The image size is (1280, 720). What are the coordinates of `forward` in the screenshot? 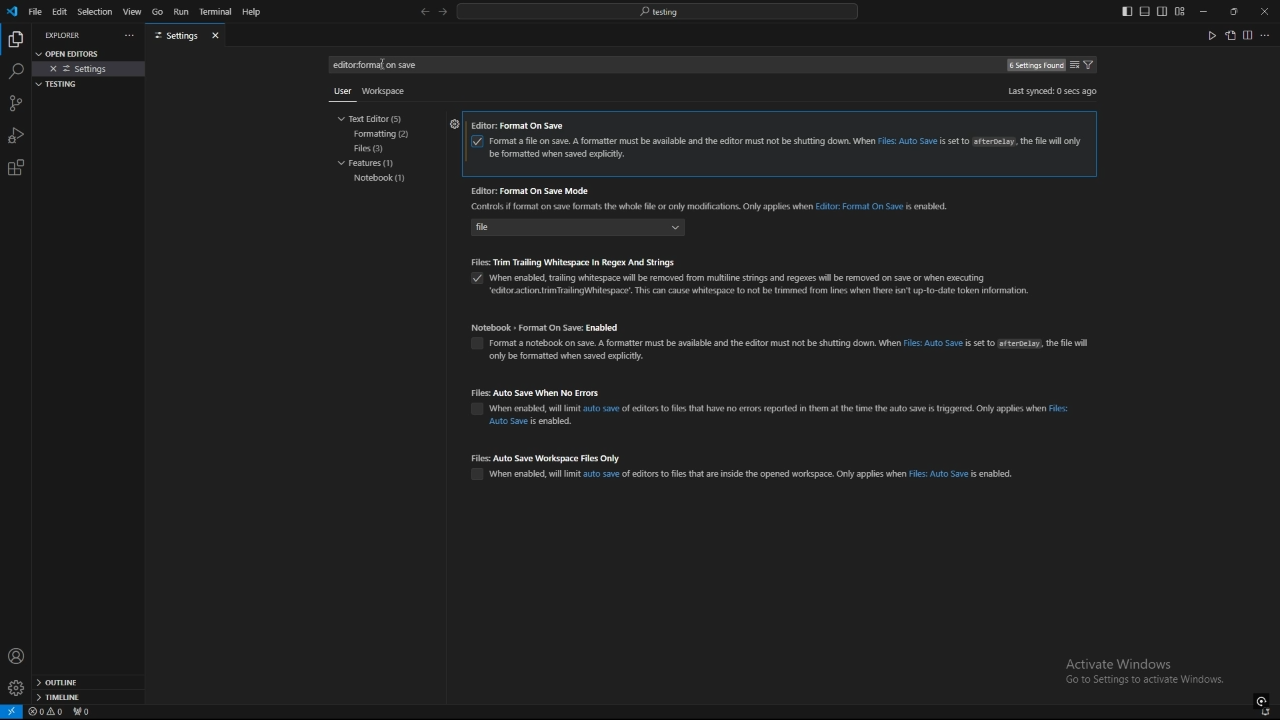 It's located at (443, 13).